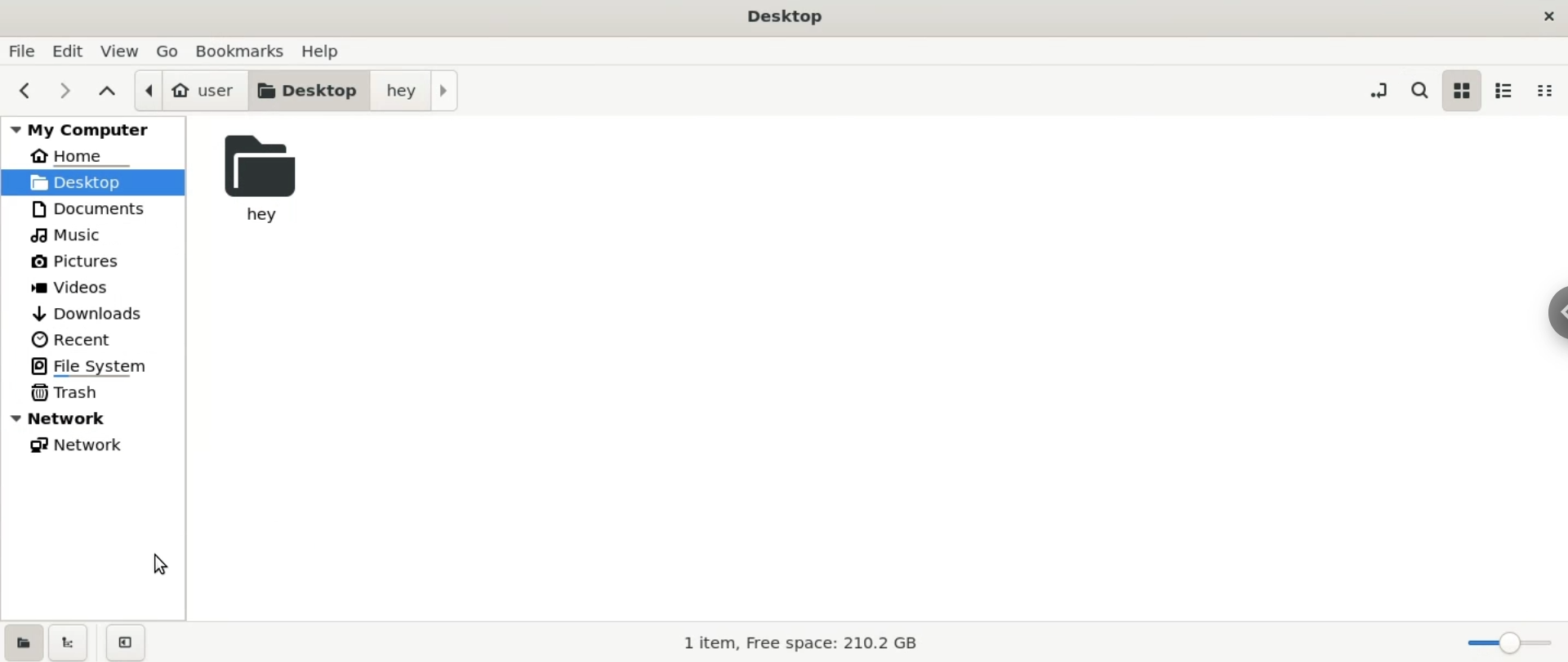 The height and width of the screenshot is (662, 1568). Describe the element at coordinates (1552, 314) in the screenshot. I see `chrome options` at that location.